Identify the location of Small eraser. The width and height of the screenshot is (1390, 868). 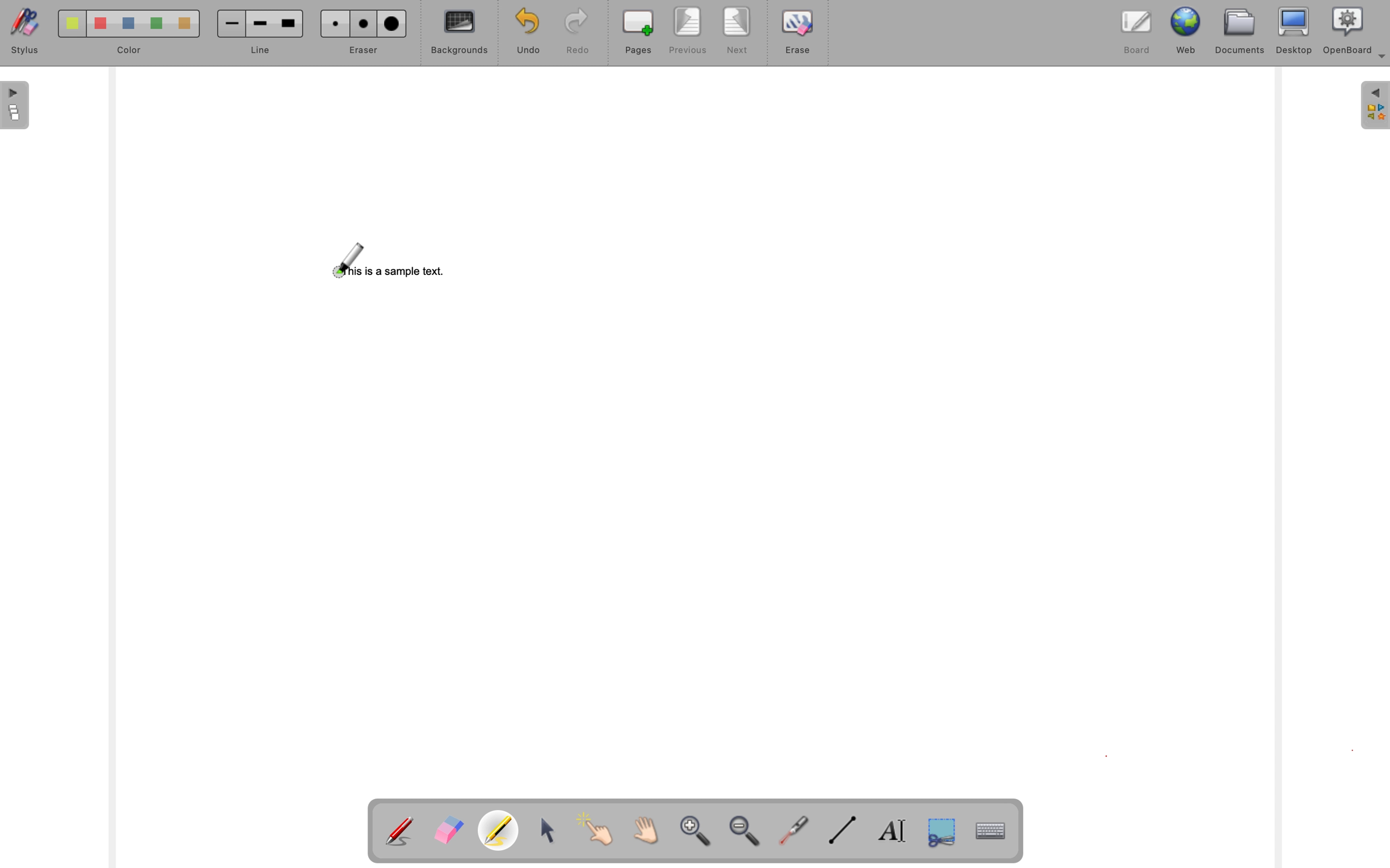
(334, 24).